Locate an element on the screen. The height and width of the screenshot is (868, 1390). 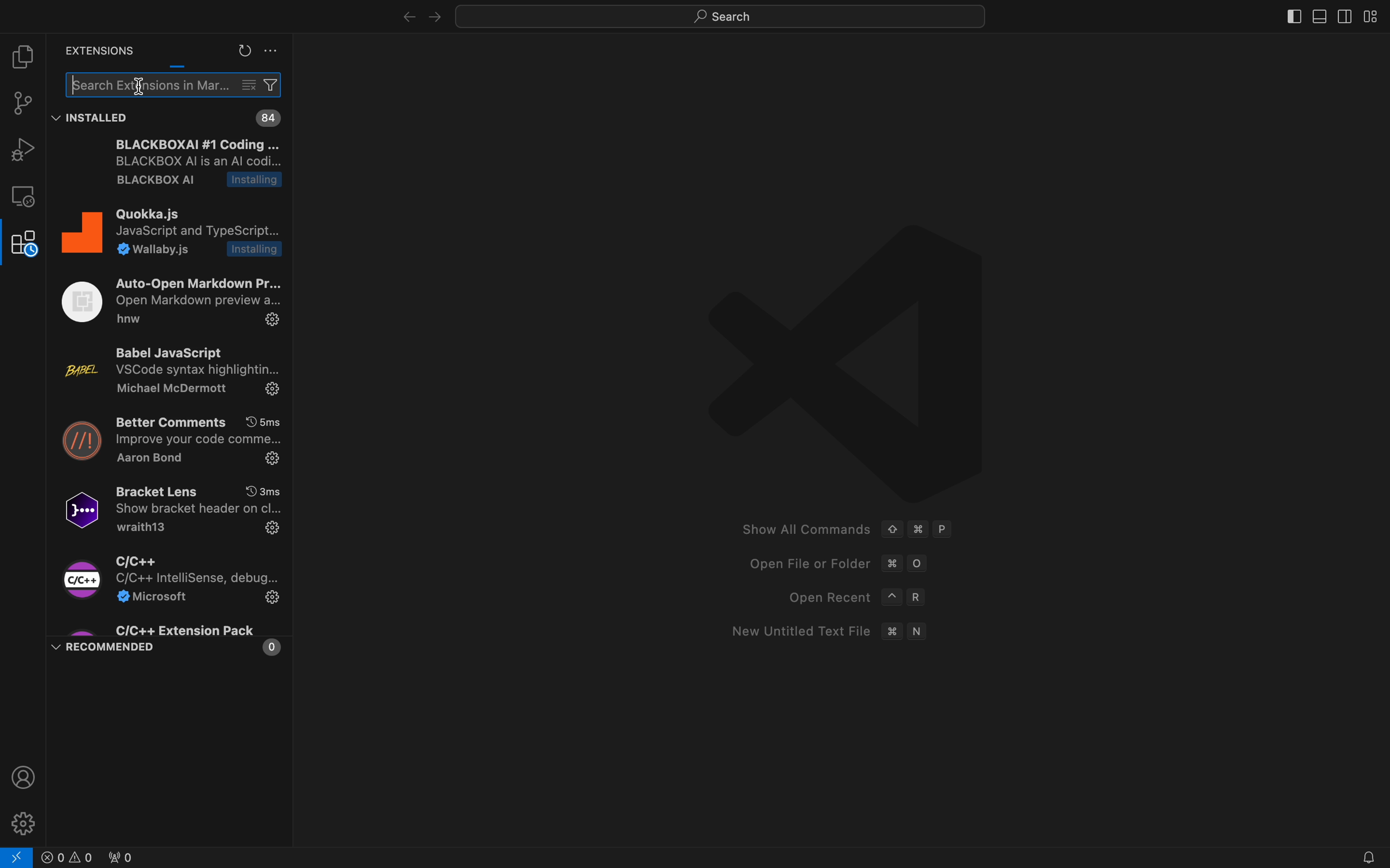
installed extensions is located at coordinates (269, 118).